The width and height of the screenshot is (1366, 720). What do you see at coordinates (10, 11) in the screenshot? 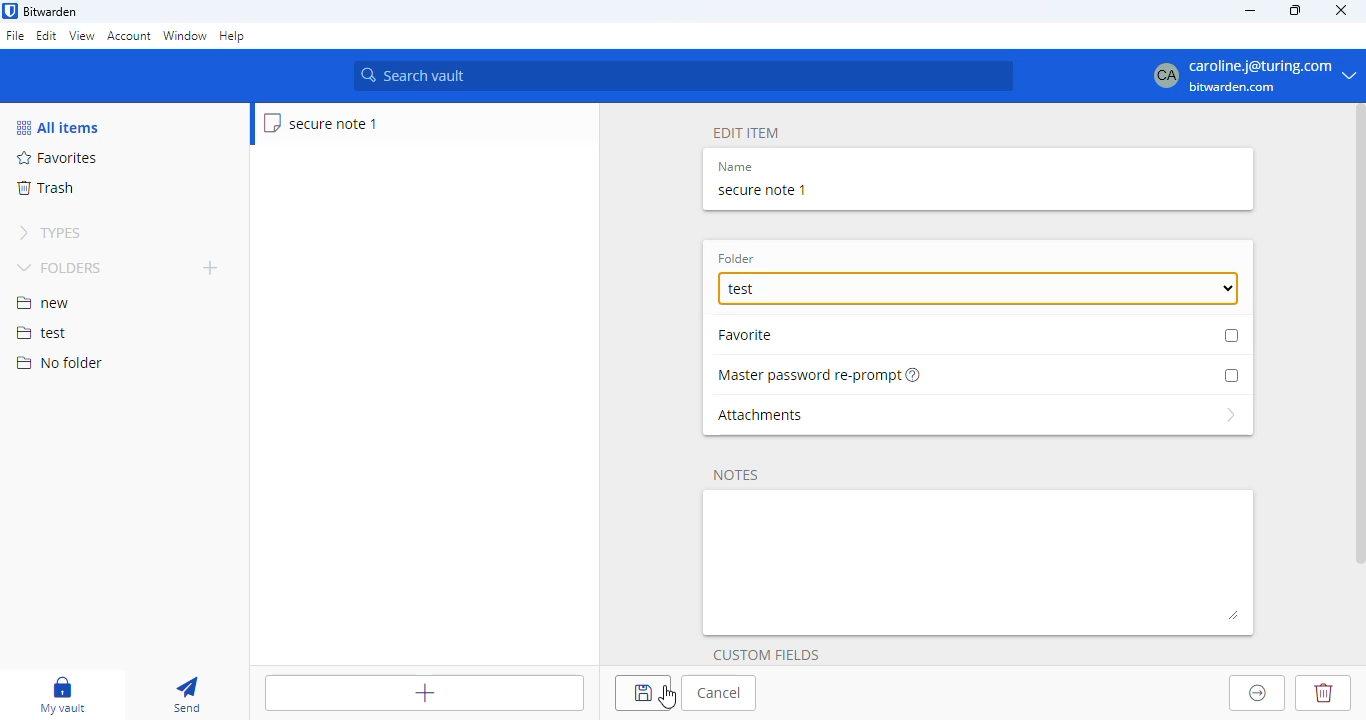
I see `logo` at bounding box center [10, 11].